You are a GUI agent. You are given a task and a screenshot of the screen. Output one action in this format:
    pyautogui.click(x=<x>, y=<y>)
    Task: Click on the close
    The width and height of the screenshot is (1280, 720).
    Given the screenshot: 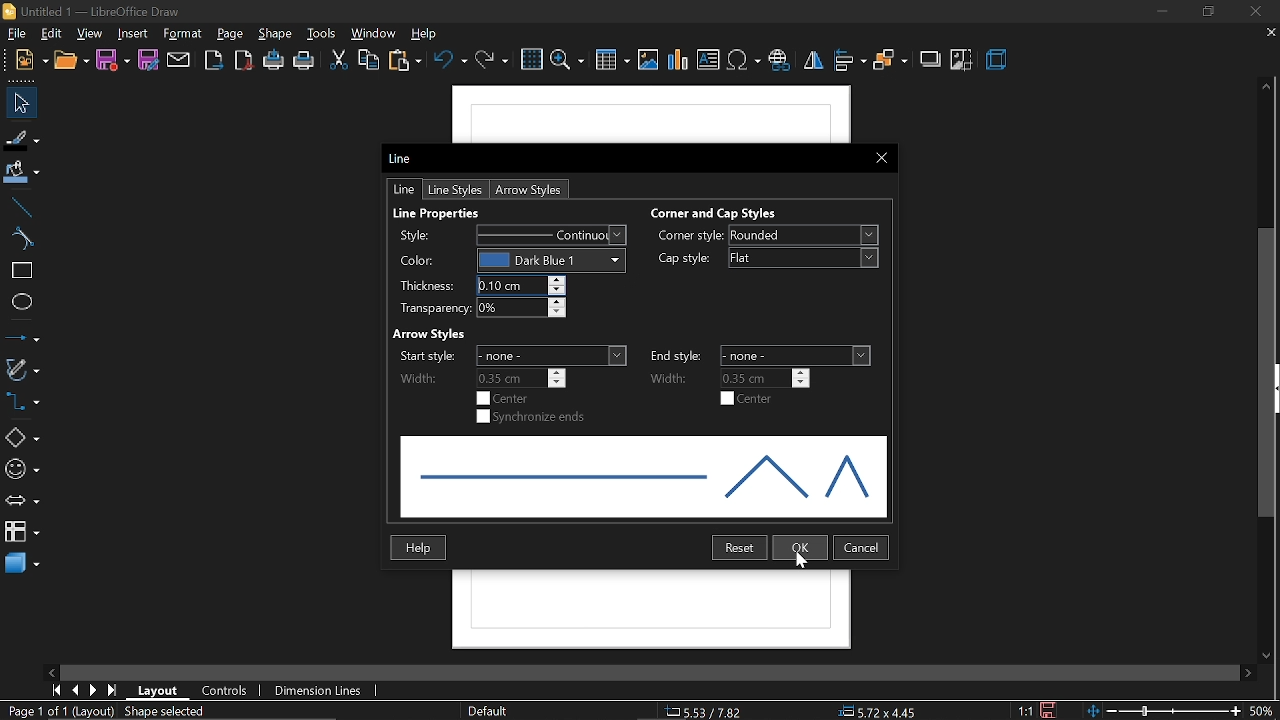 What is the action you would take?
    pyautogui.click(x=880, y=157)
    